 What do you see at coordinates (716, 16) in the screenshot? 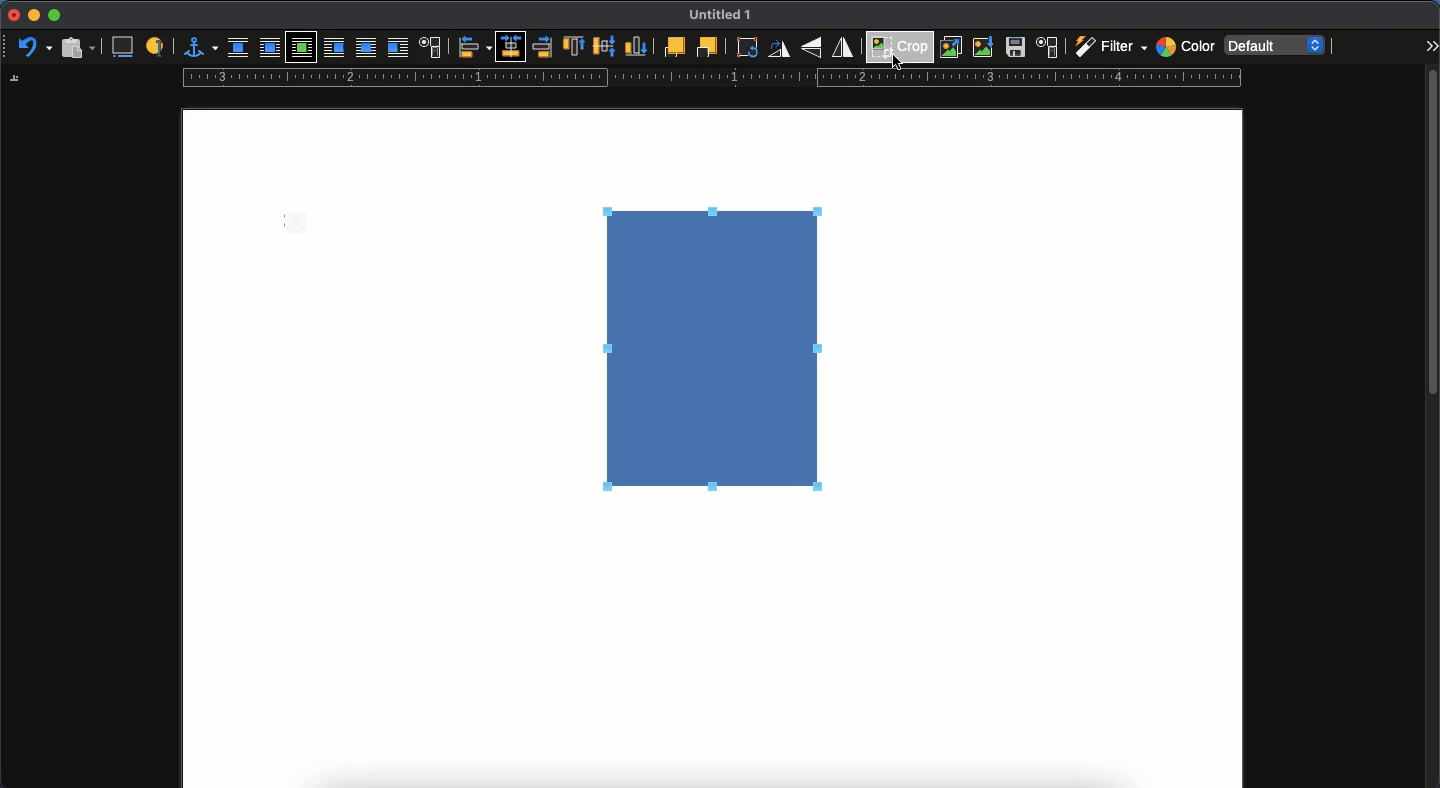
I see `untitled` at bounding box center [716, 16].